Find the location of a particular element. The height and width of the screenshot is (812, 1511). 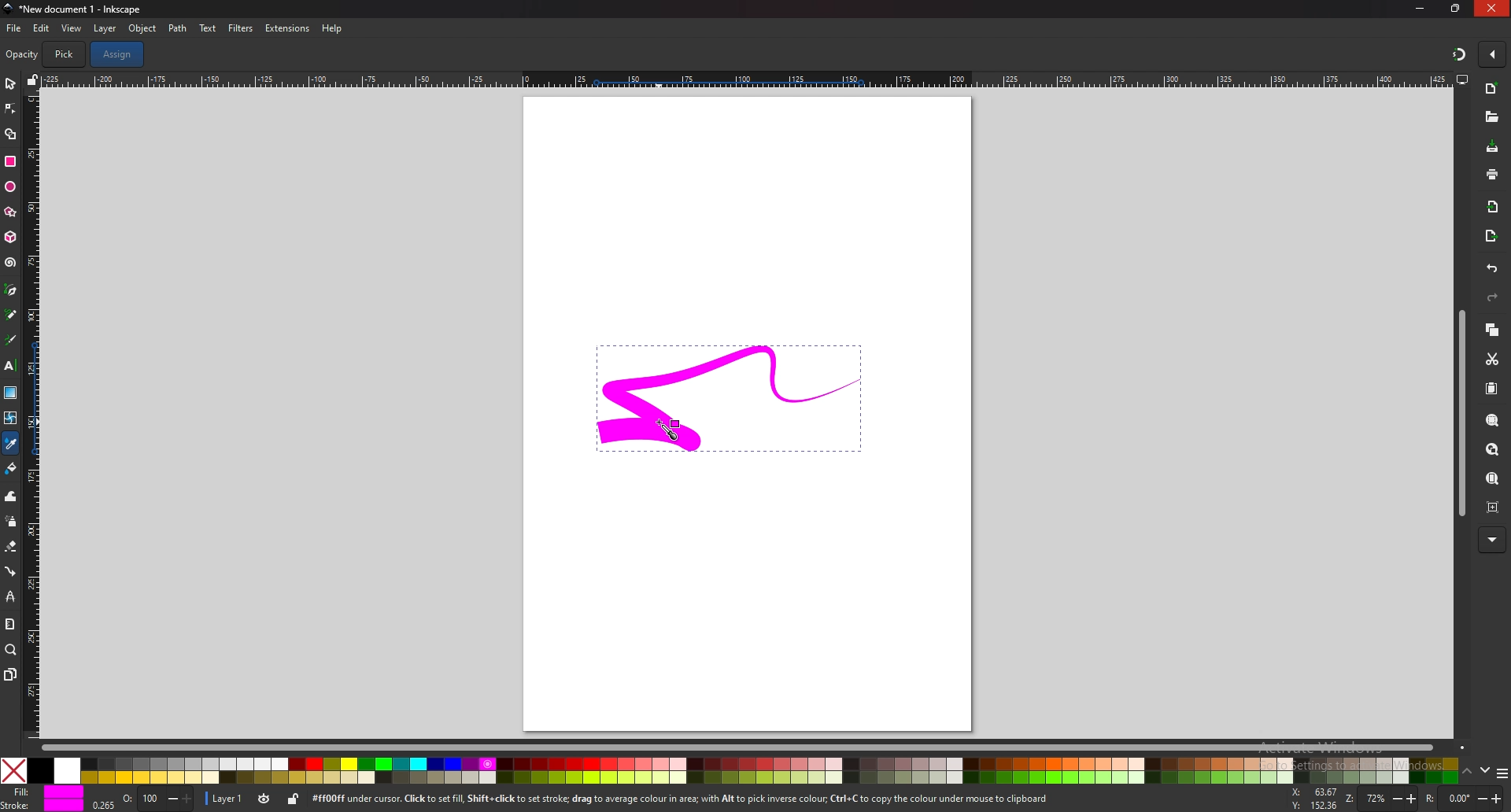

selector is located at coordinates (10, 83).